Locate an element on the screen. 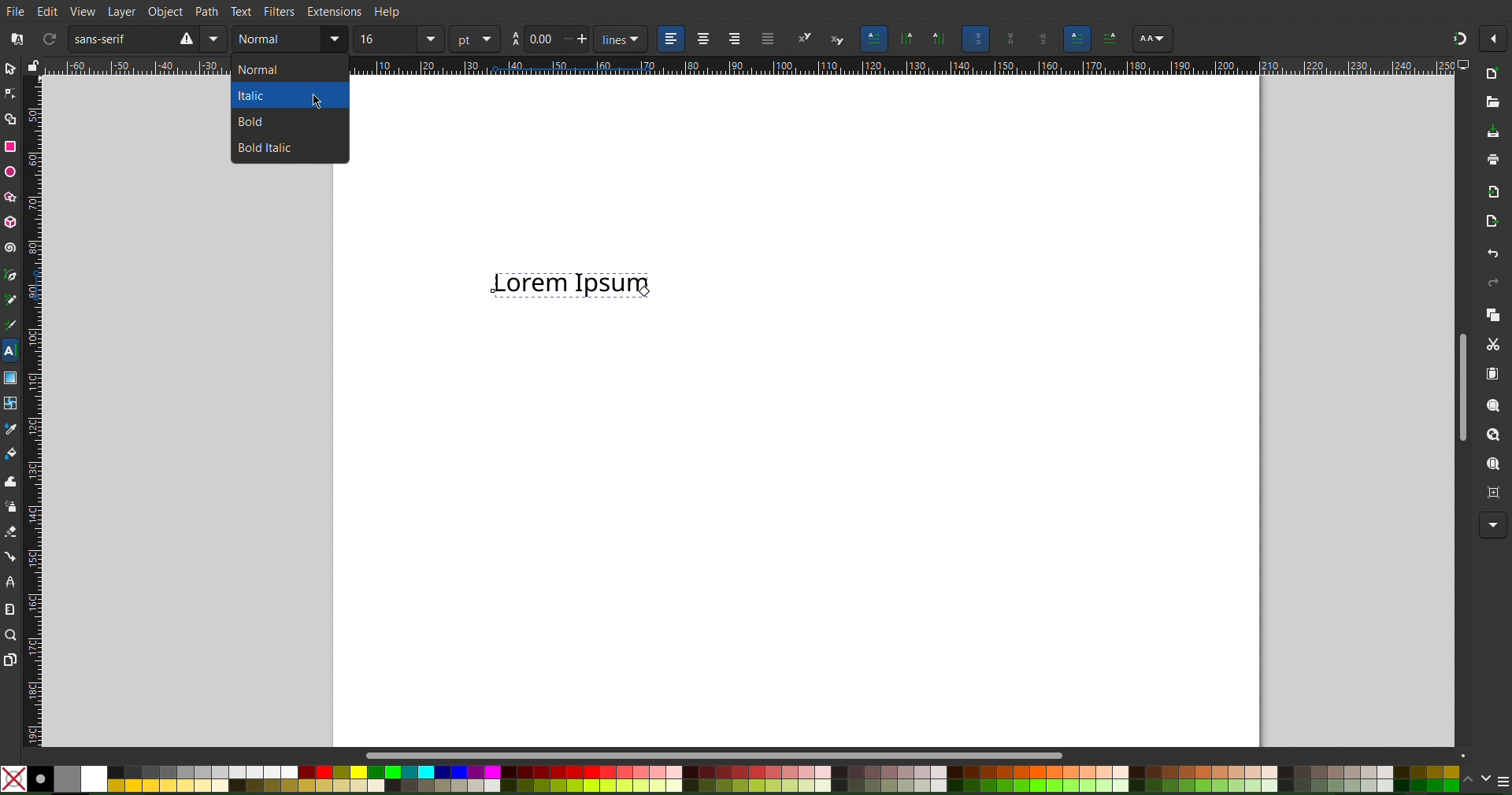 The height and width of the screenshot is (795, 1512). AA is located at coordinates (1109, 39).